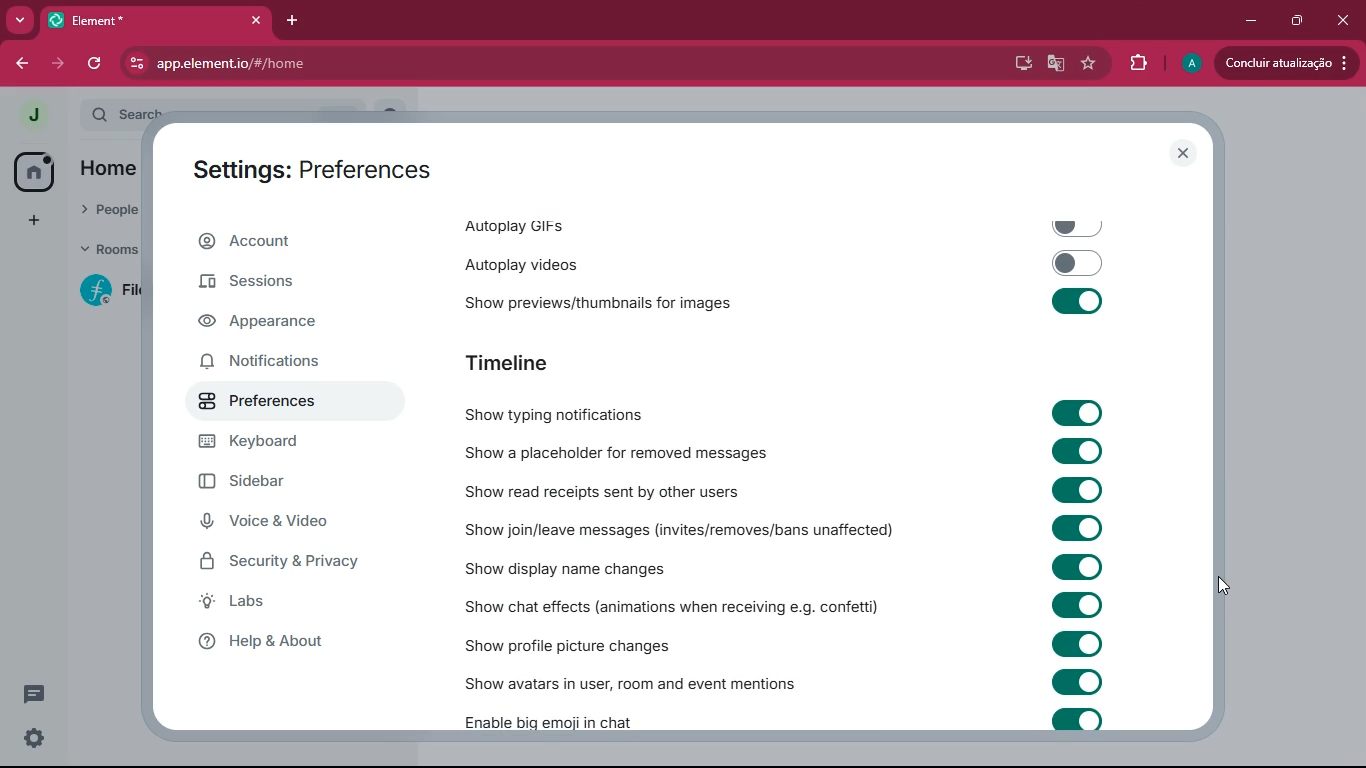 The image size is (1366, 768). Describe the element at coordinates (783, 568) in the screenshot. I see `Show display name changes` at that location.